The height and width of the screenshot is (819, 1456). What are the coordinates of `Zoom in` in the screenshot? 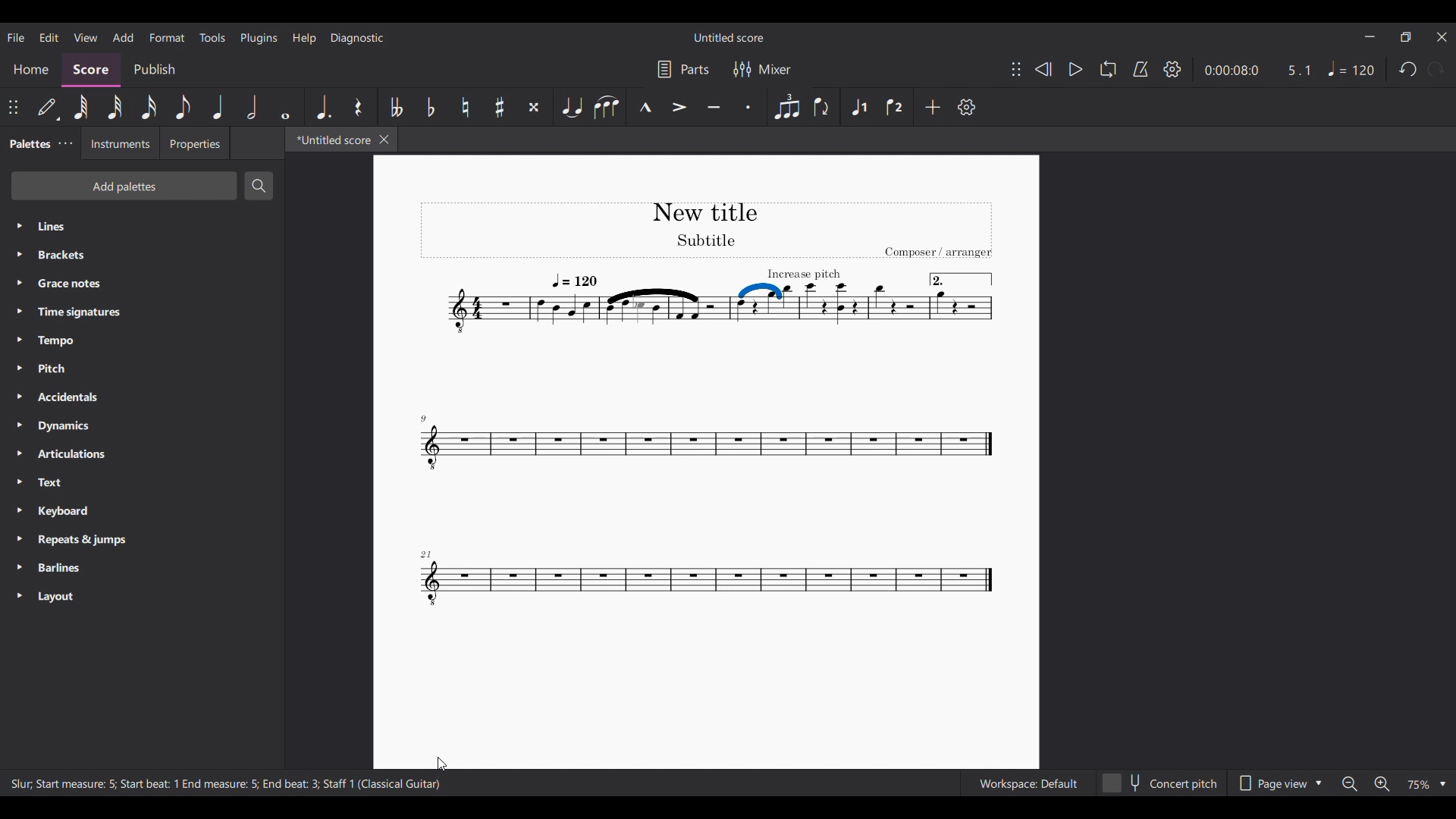 It's located at (1380, 783).